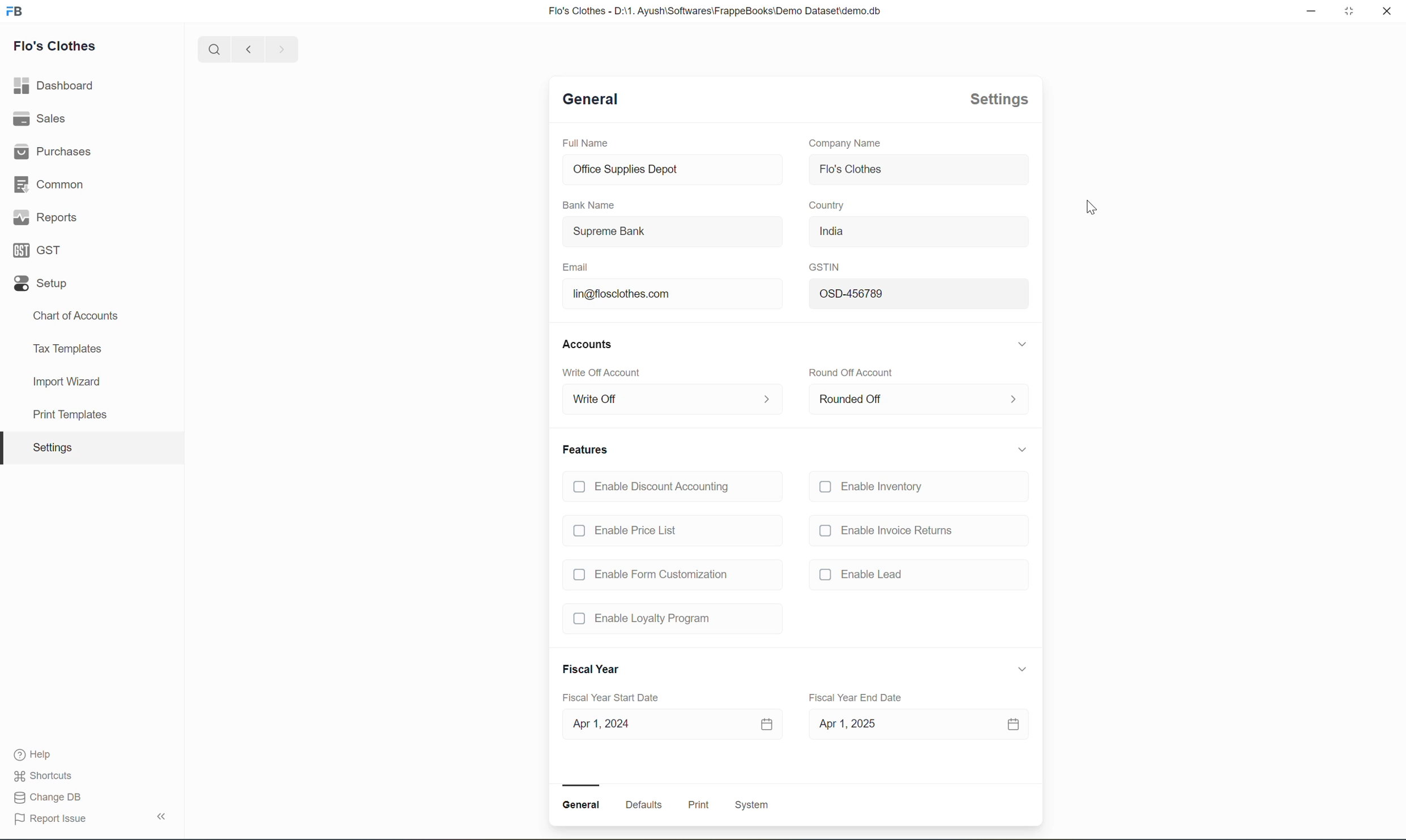 The image size is (1406, 840). I want to click on Expand/collapse, so click(1023, 449).